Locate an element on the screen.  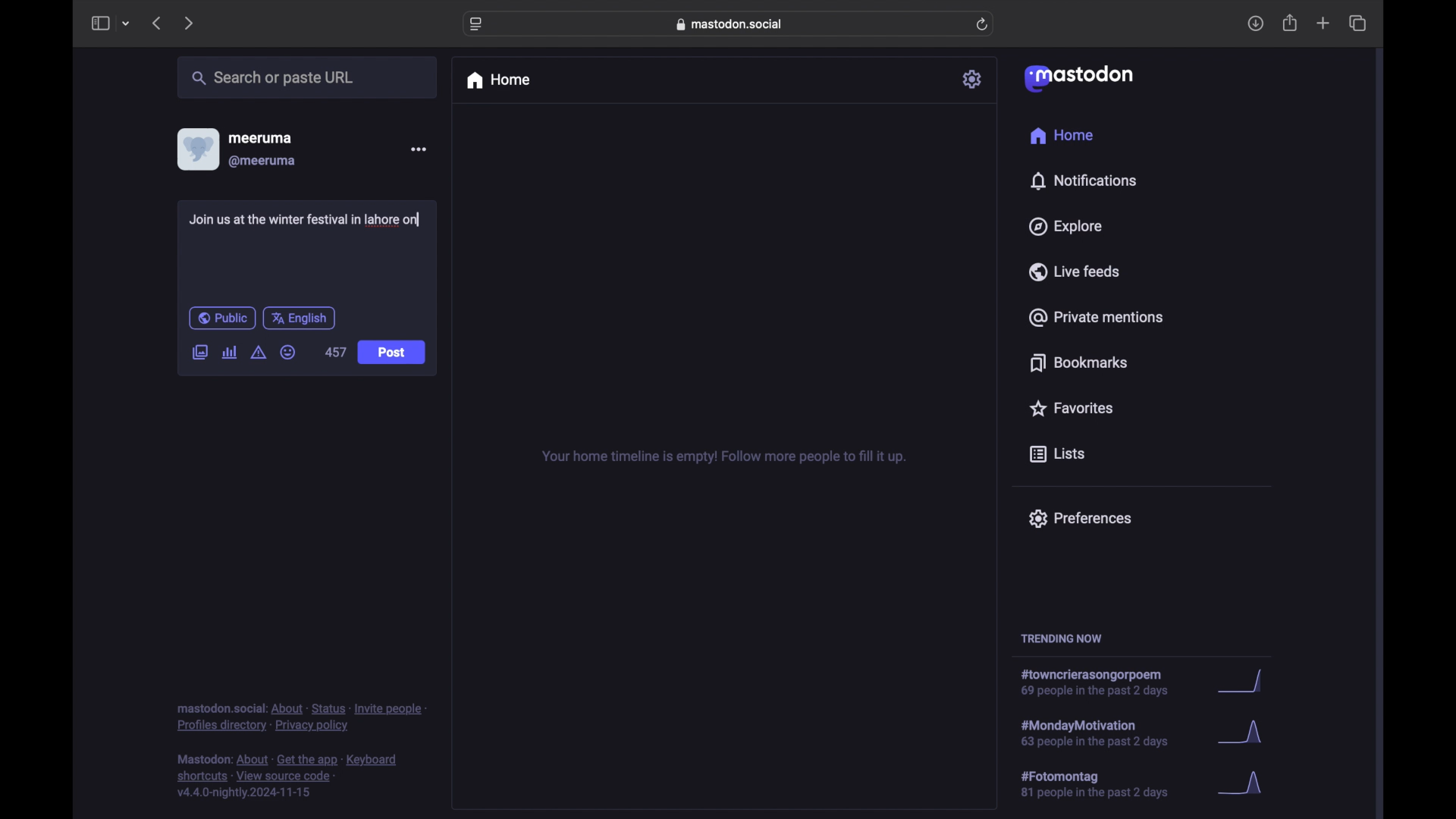
favorites is located at coordinates (1070, 408).